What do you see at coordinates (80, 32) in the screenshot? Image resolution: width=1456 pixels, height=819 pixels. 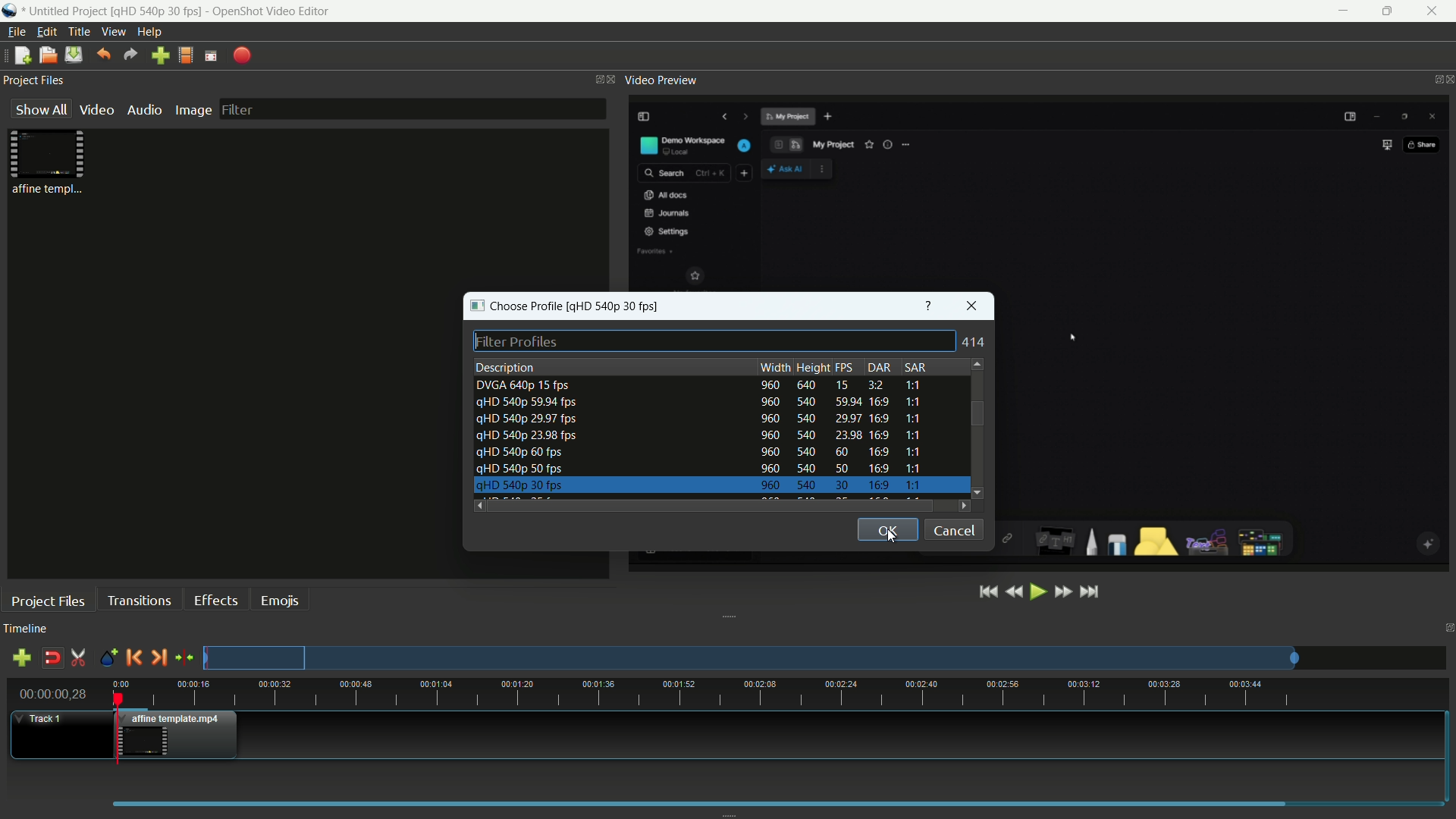 I see `title menu` at bounding box center [80, 32].